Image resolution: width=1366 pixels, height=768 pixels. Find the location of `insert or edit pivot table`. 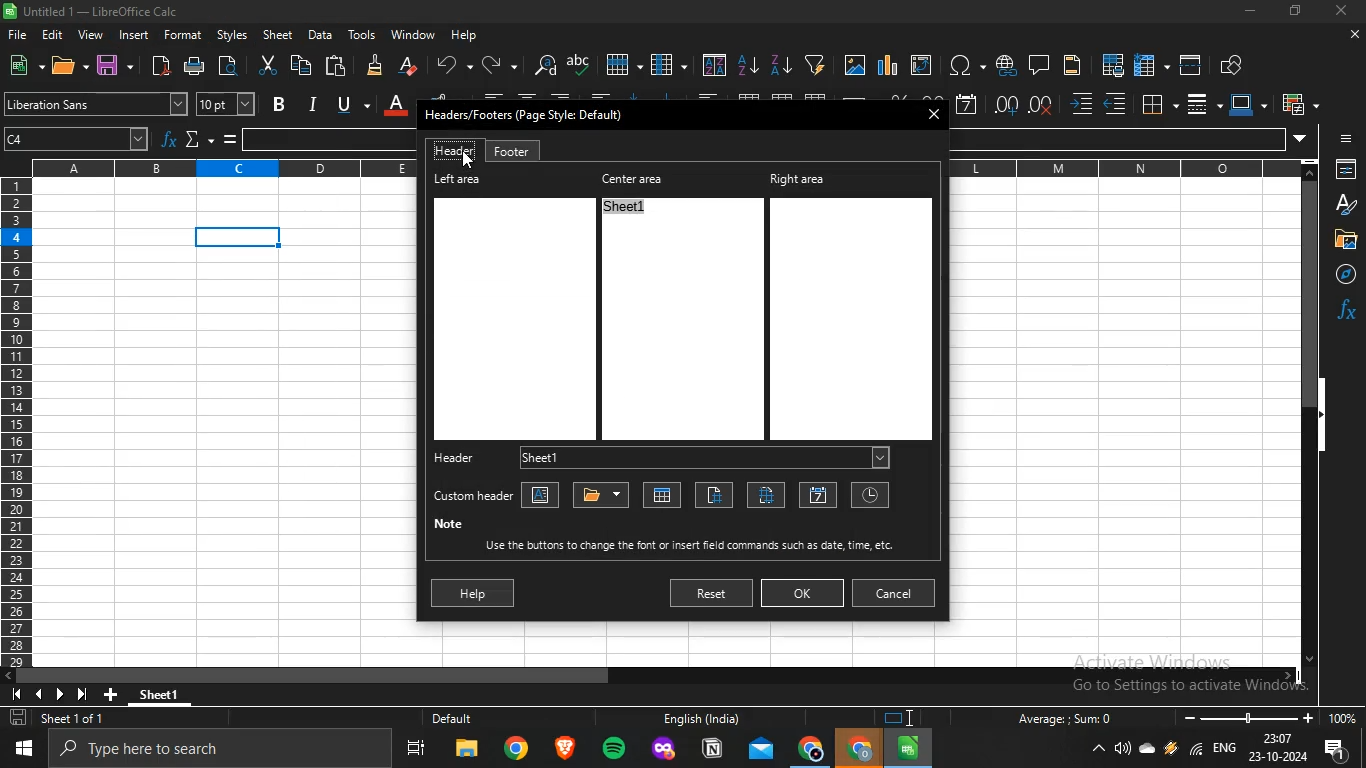

insert or edit pivot table is located at coordinates (920, 64).